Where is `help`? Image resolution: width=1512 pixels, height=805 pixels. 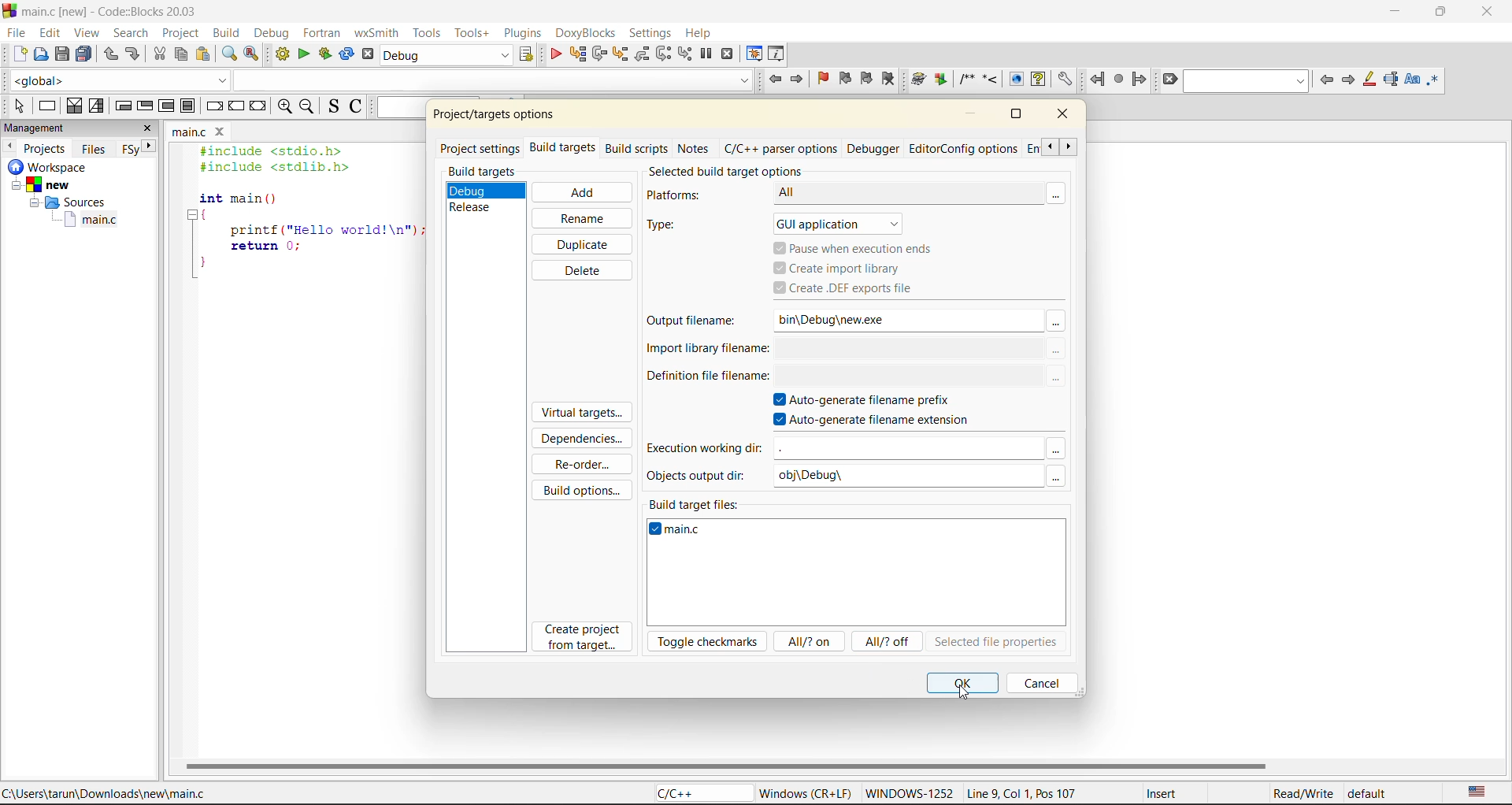
help is located at coordinates (702, 34).